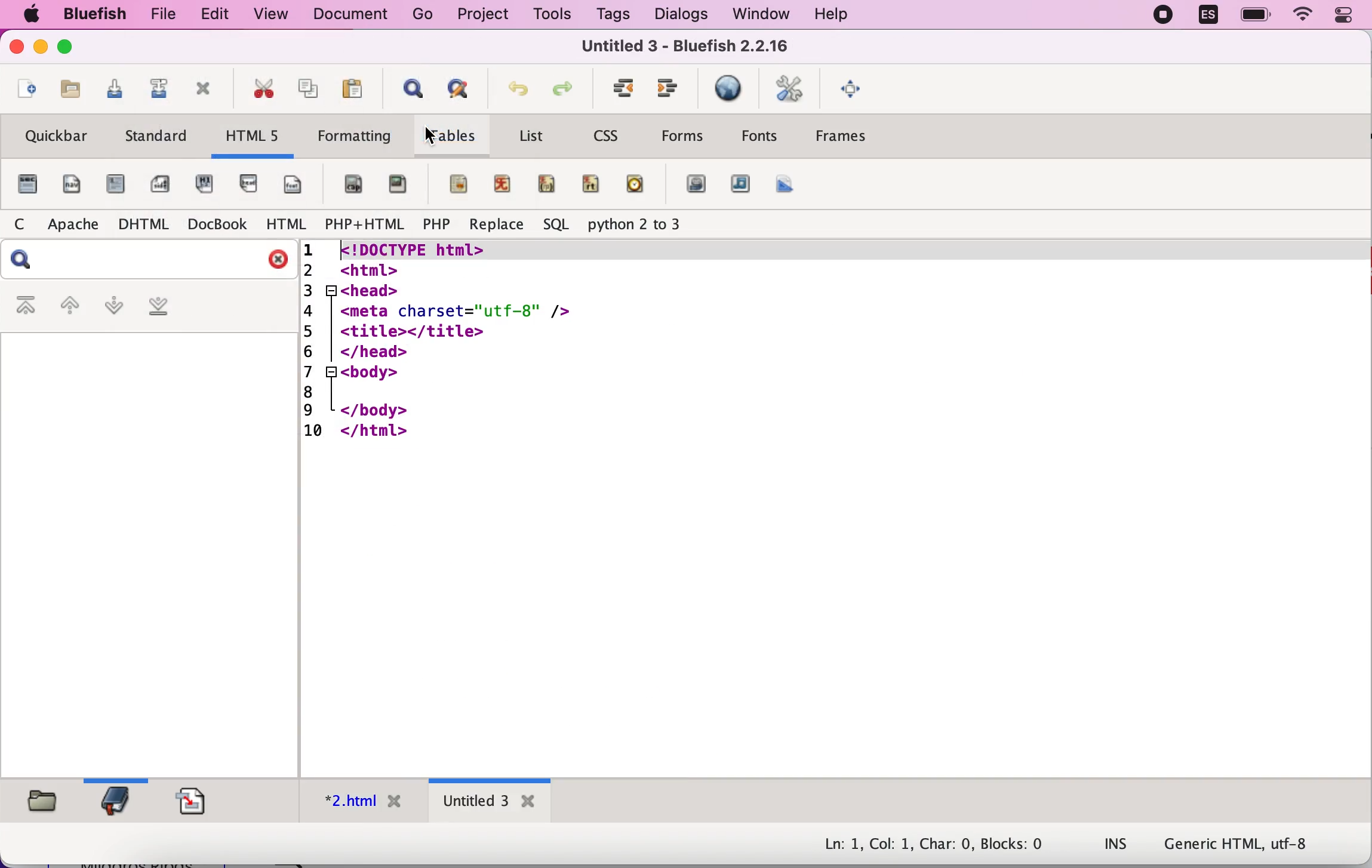 This screenshot has height=868, width=1372. What do you see at coordinates (409, 87) in the screenshot?
I see `show find bar` at bounding box center [409, 87].